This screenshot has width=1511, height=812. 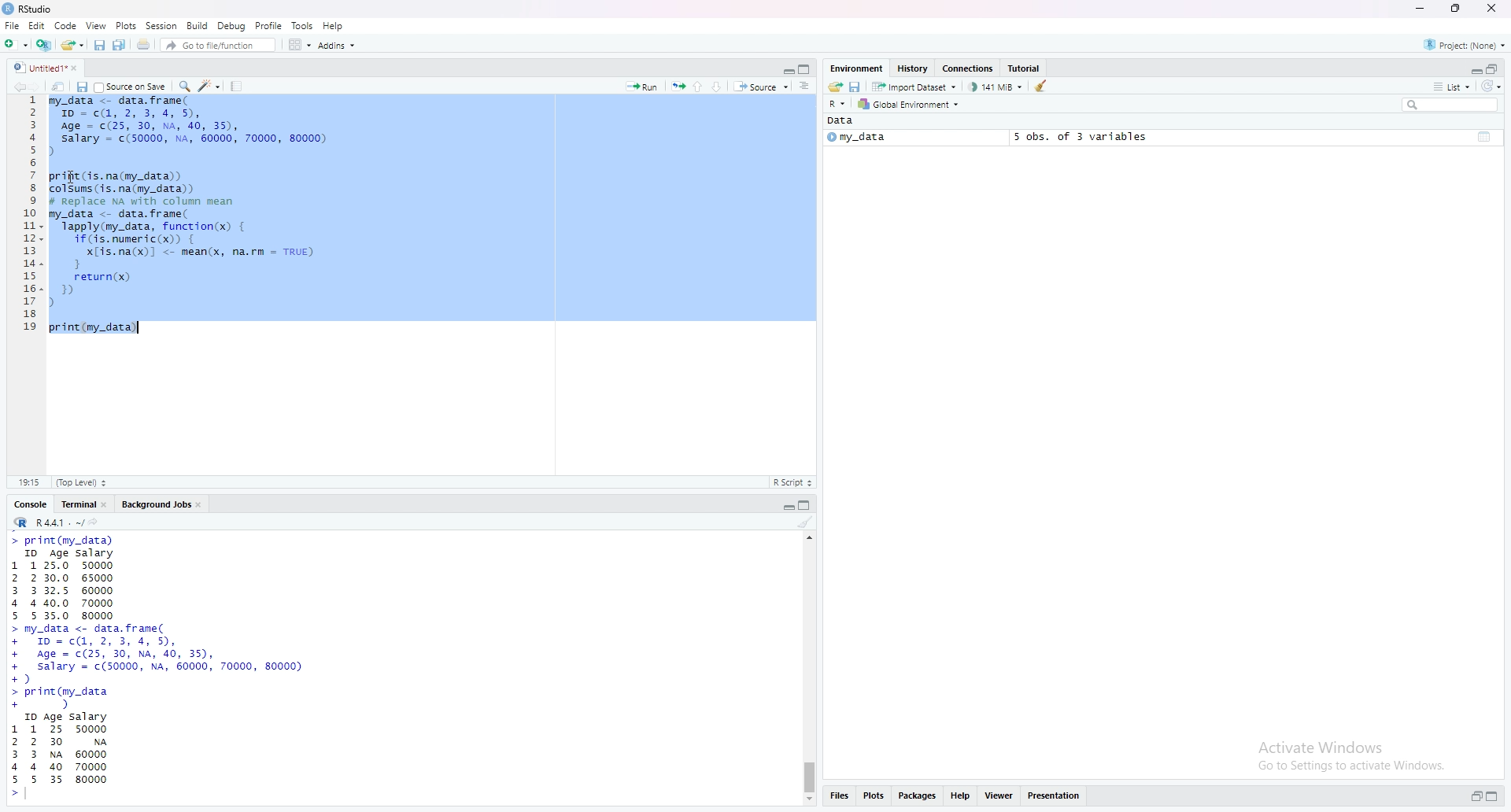 What do you see at coordinates (1042, 86) in the screenshot?
I see `clear object from the workspace` at bounding box center [1042, 86].